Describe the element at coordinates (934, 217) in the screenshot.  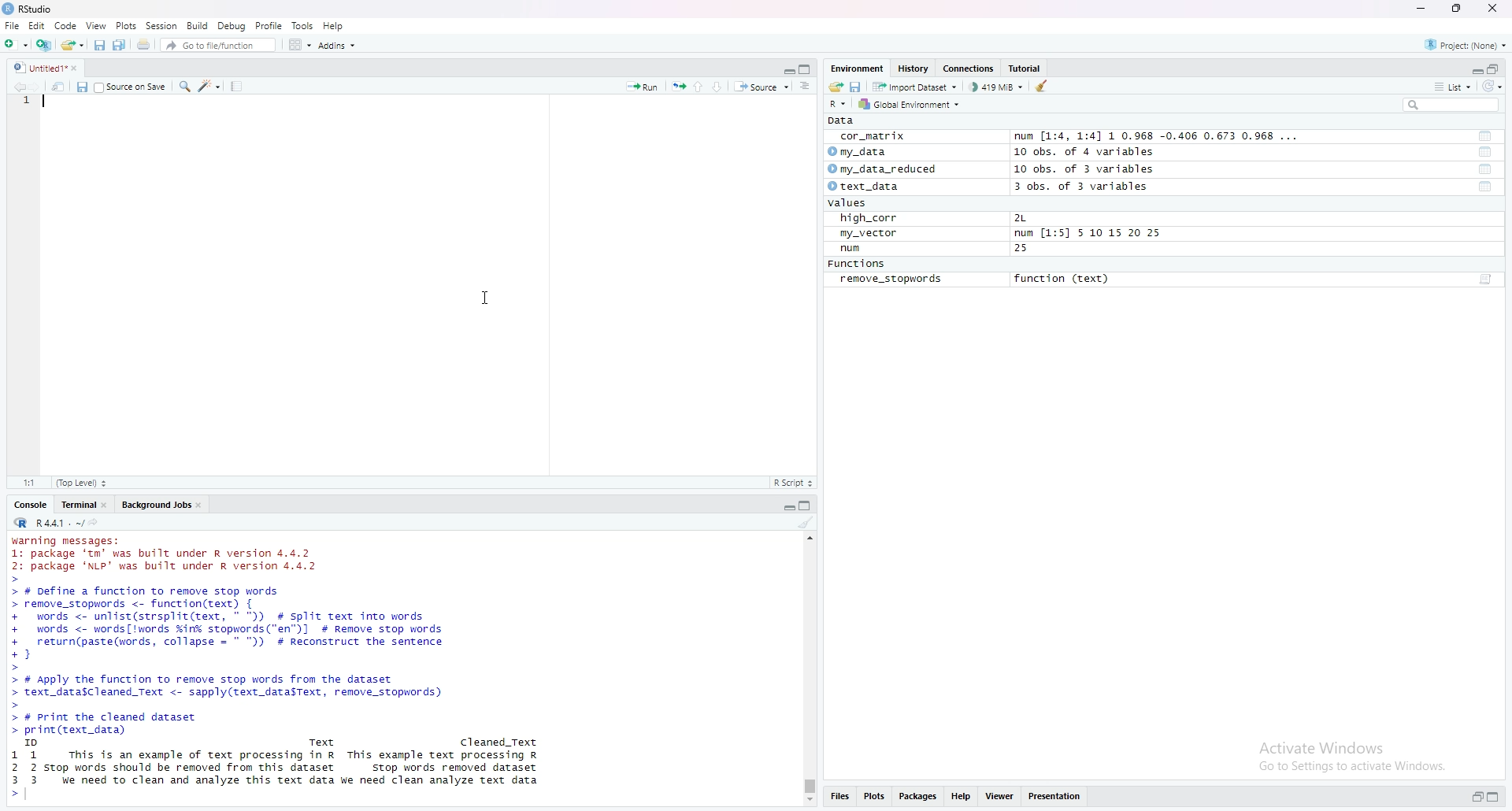
I see `high_corr 2L` at that location.